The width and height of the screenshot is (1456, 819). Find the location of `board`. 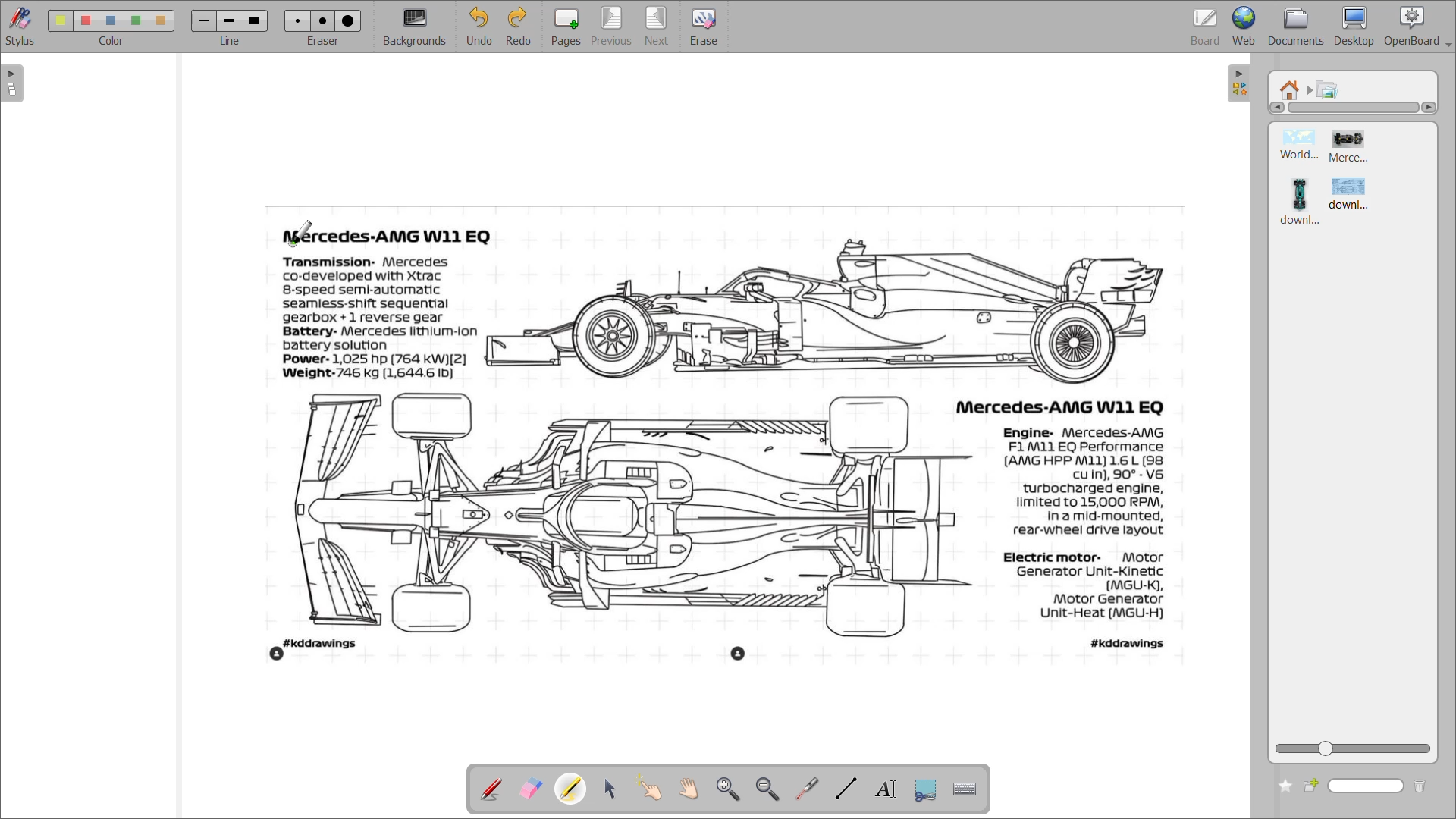

board is located at coordinates (1205, 27).